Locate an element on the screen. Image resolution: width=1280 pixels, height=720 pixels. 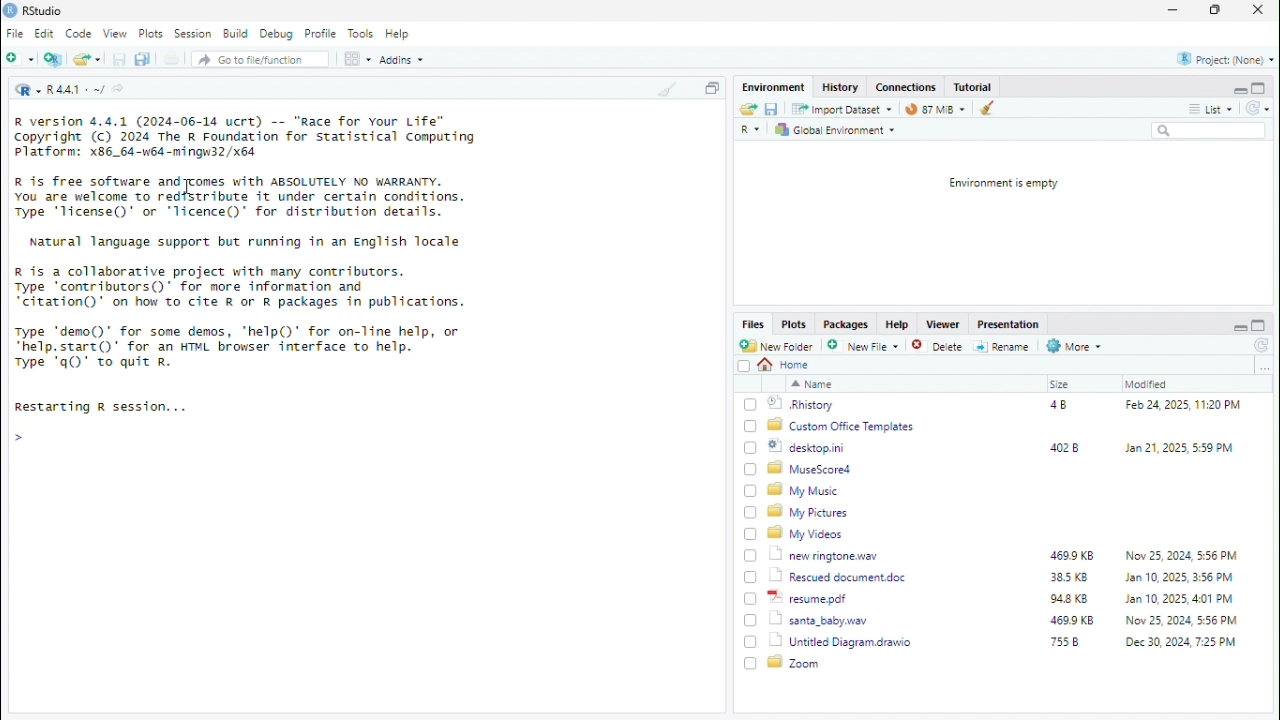
reload is located at coordinates (1257, 107).